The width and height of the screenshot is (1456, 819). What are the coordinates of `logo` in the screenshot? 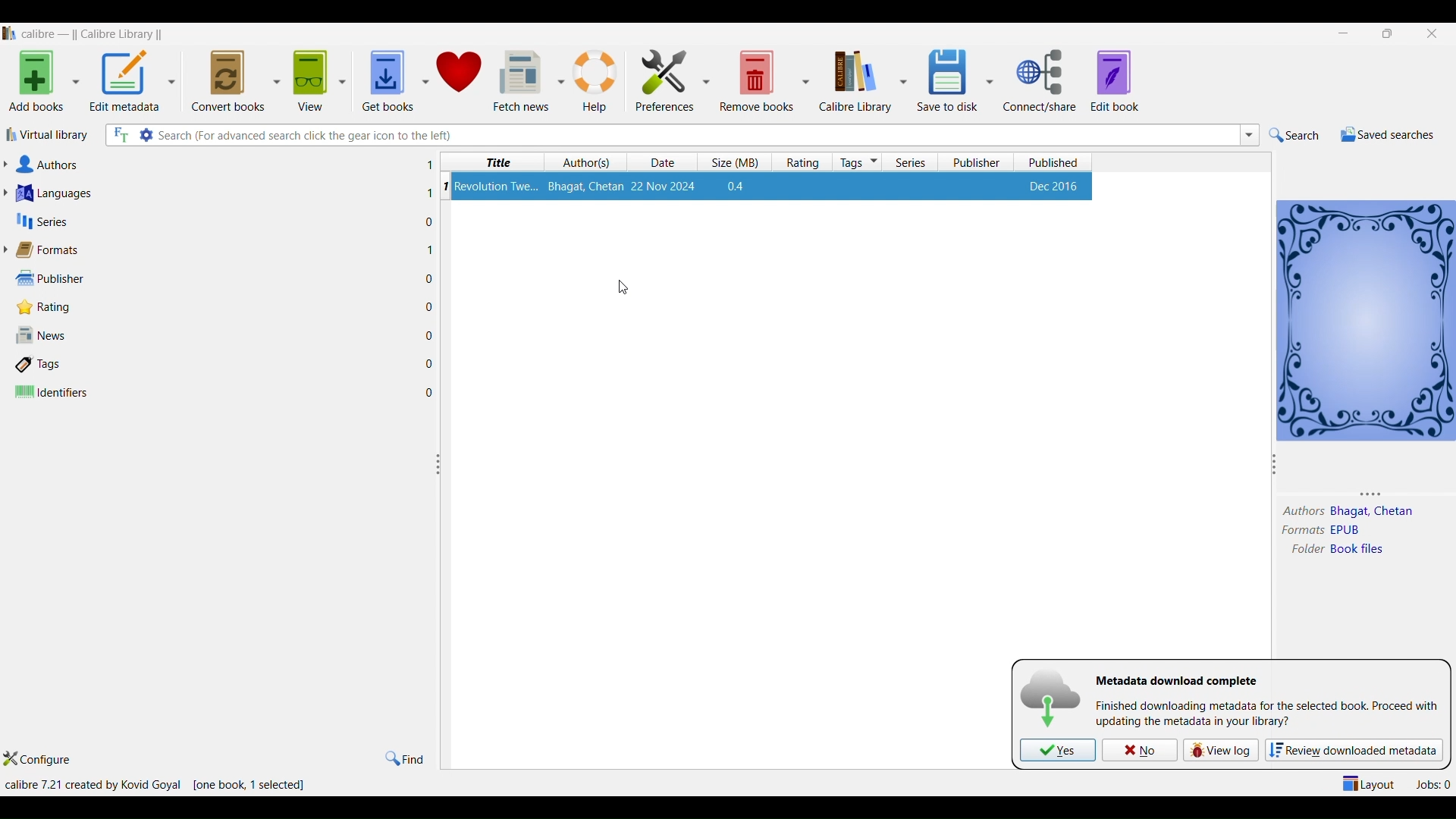 It's located at (9, 32).